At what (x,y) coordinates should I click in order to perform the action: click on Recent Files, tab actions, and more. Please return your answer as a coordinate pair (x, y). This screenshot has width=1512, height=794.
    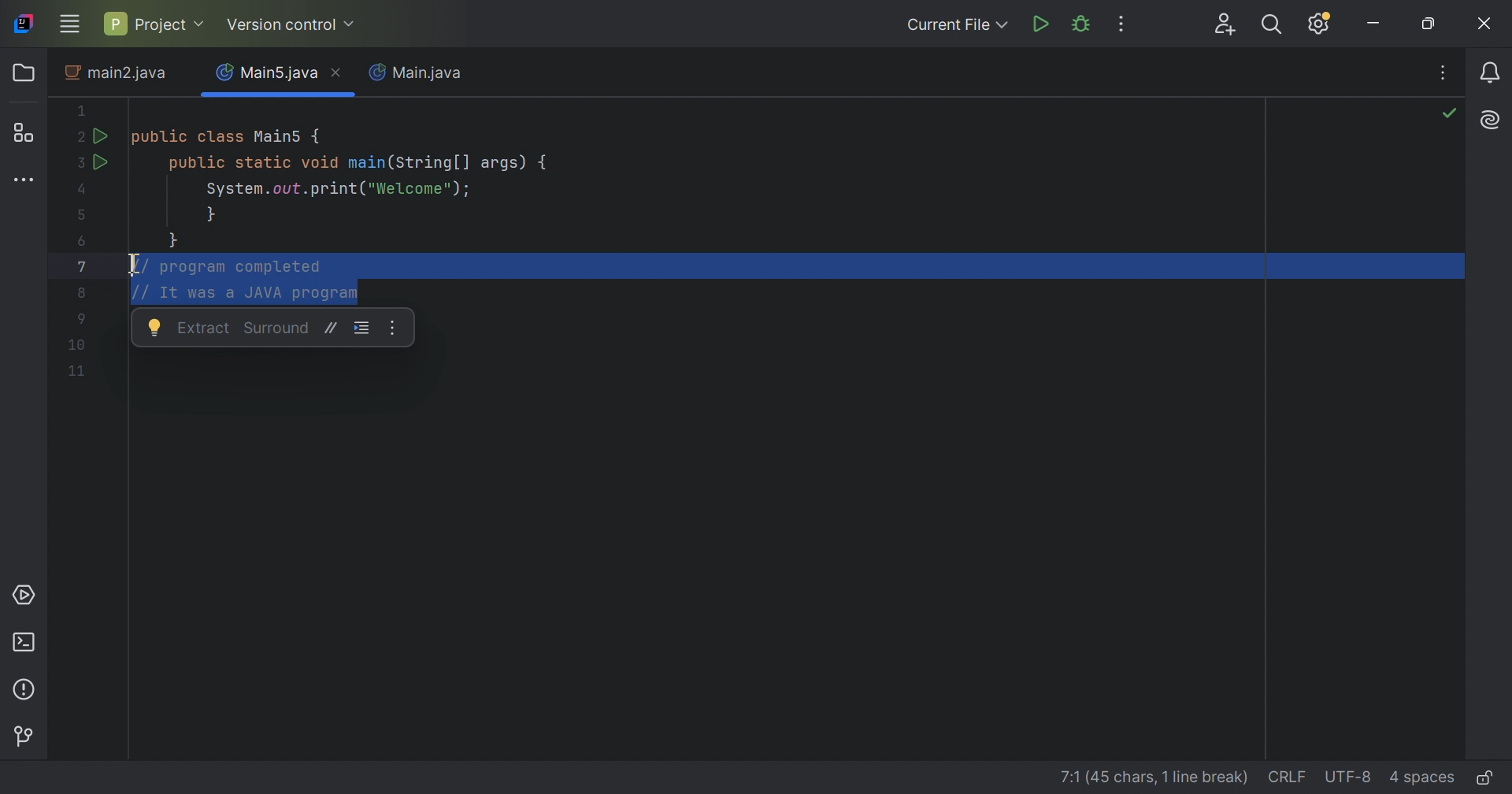
    Looking at the image, I should click on (1445, 72).